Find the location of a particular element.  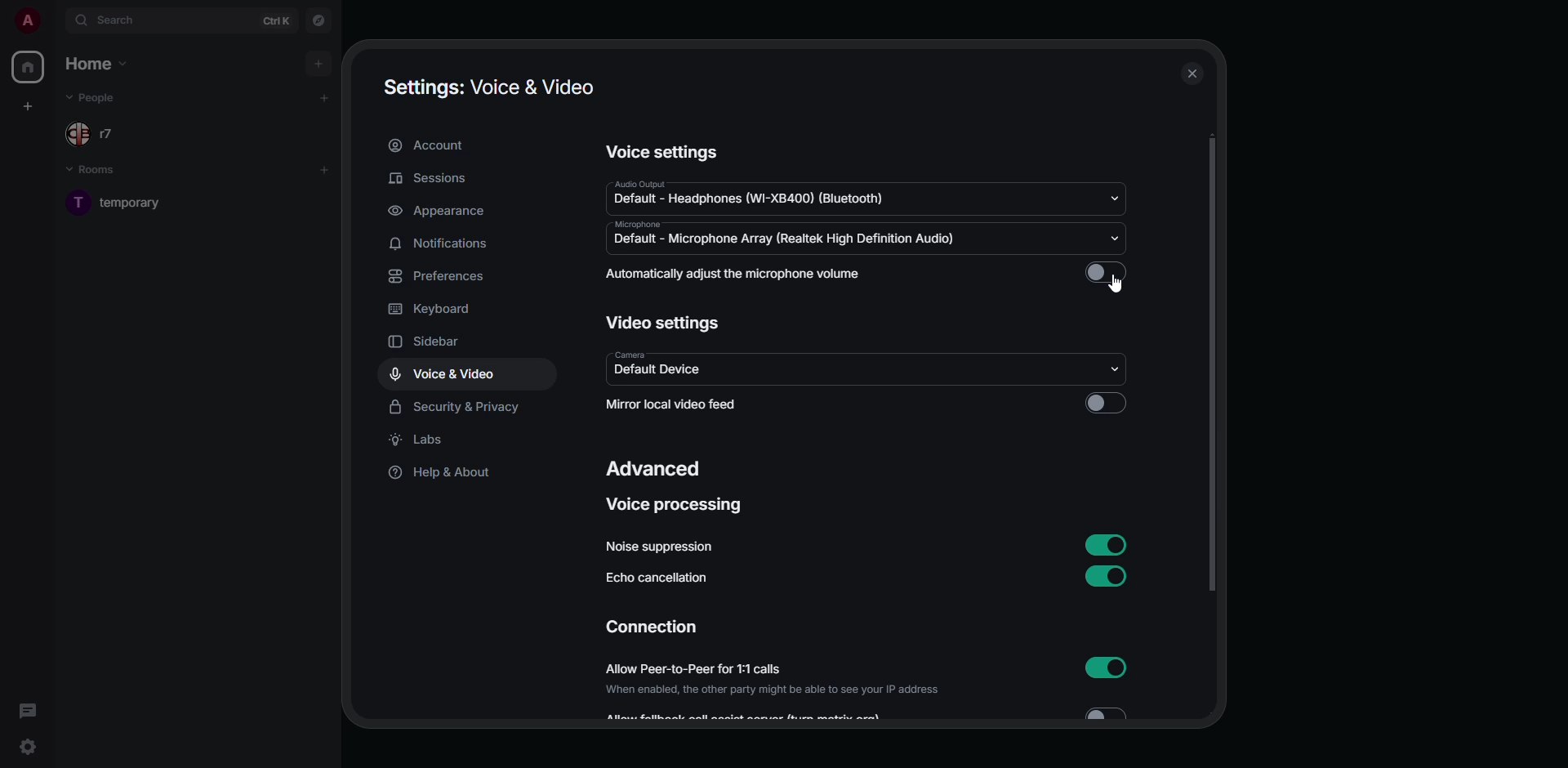

security & privacy is located at coordinates (458, 405).